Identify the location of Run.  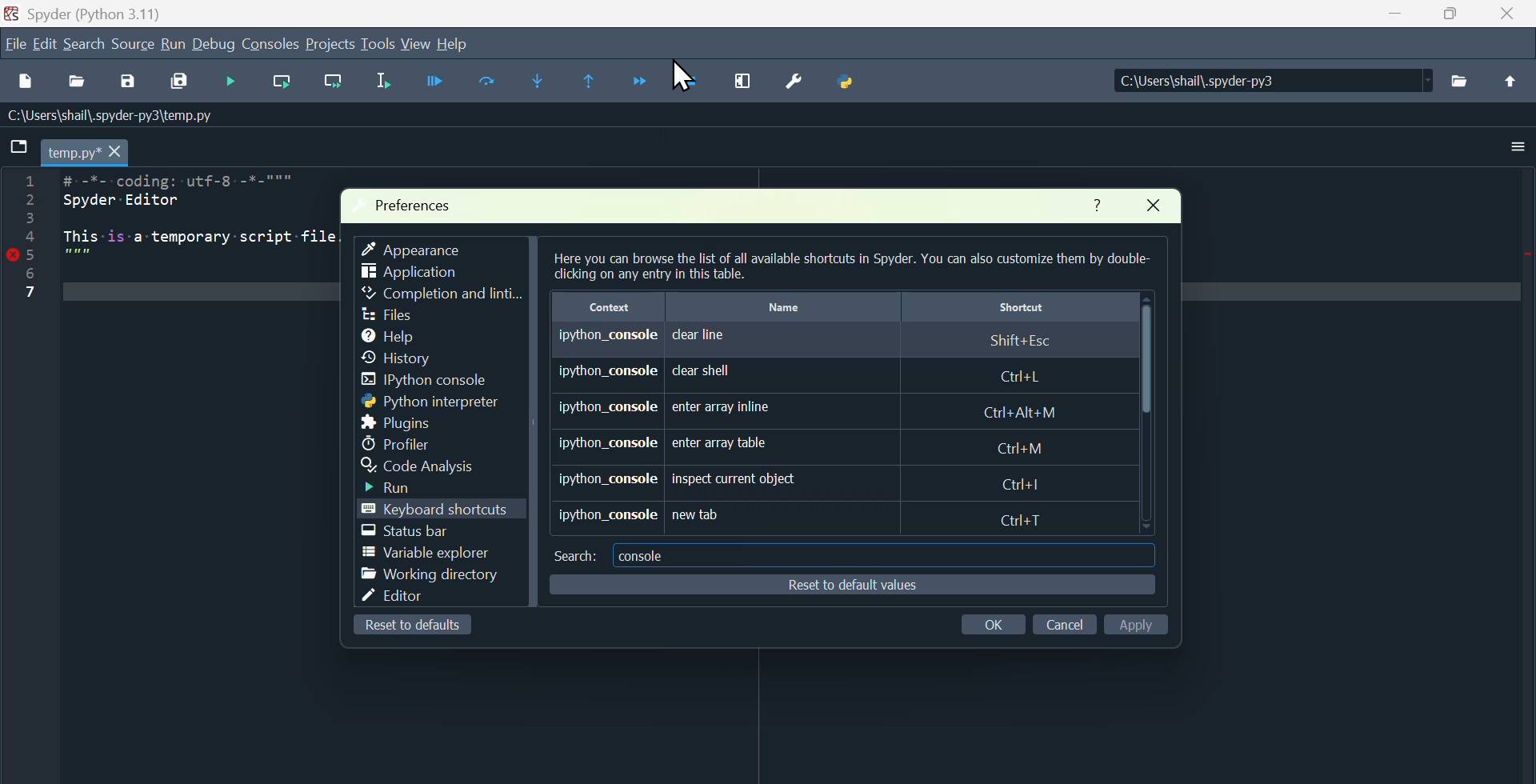
(399, 490).